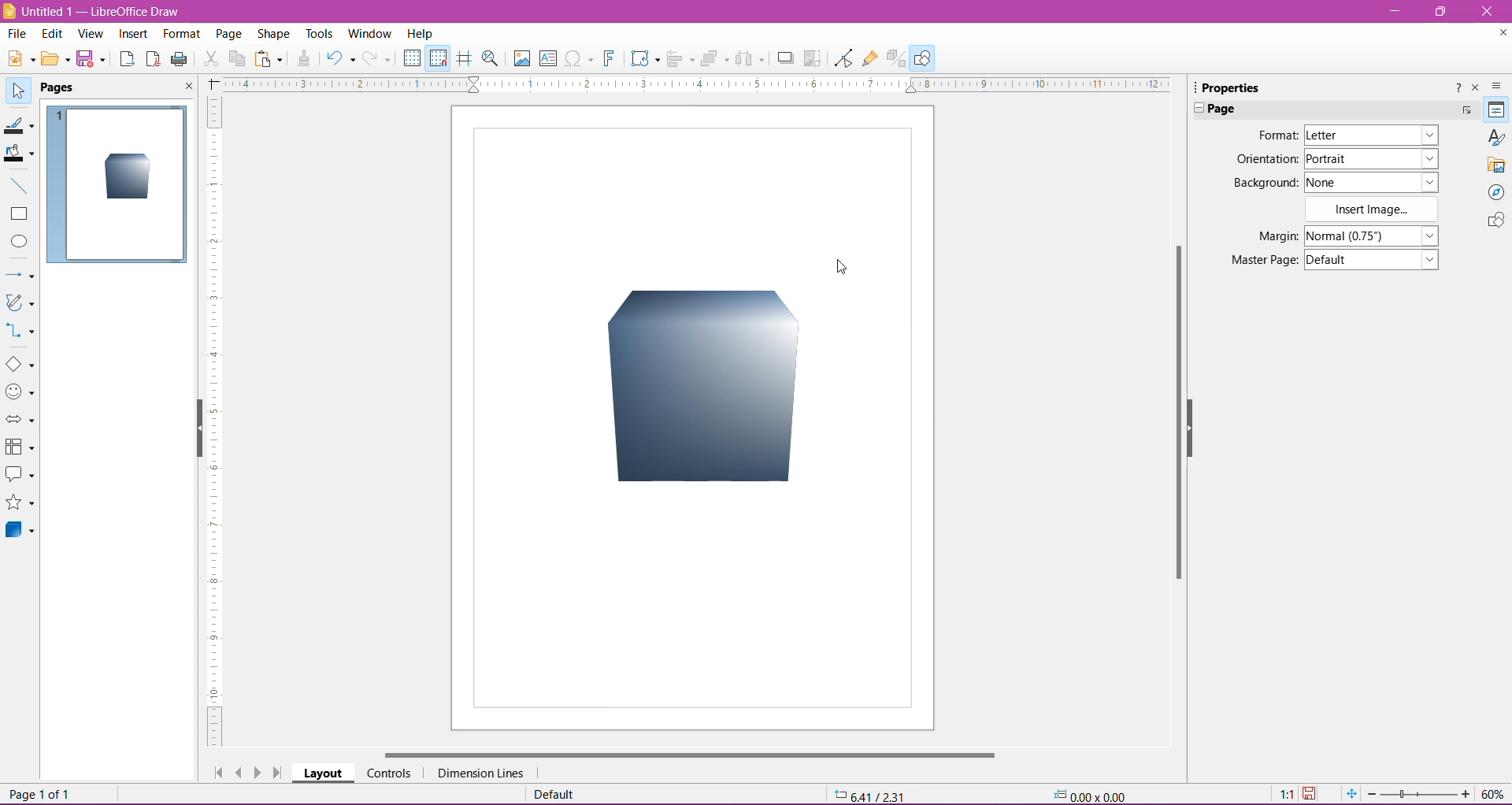  I want to click on Ruler, so click(691, 84).